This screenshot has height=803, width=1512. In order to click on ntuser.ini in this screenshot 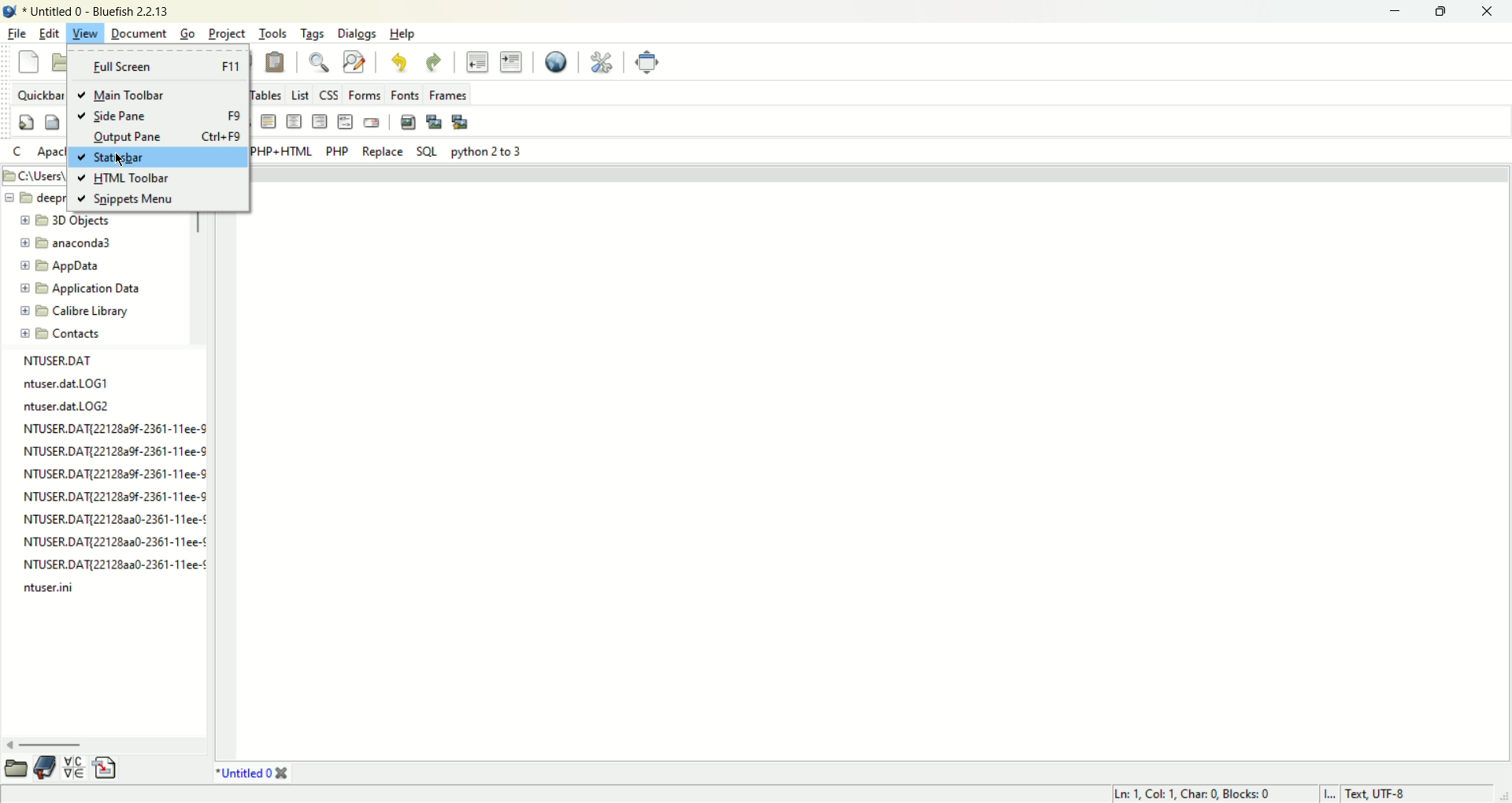, I will do `click(50, 589)`.